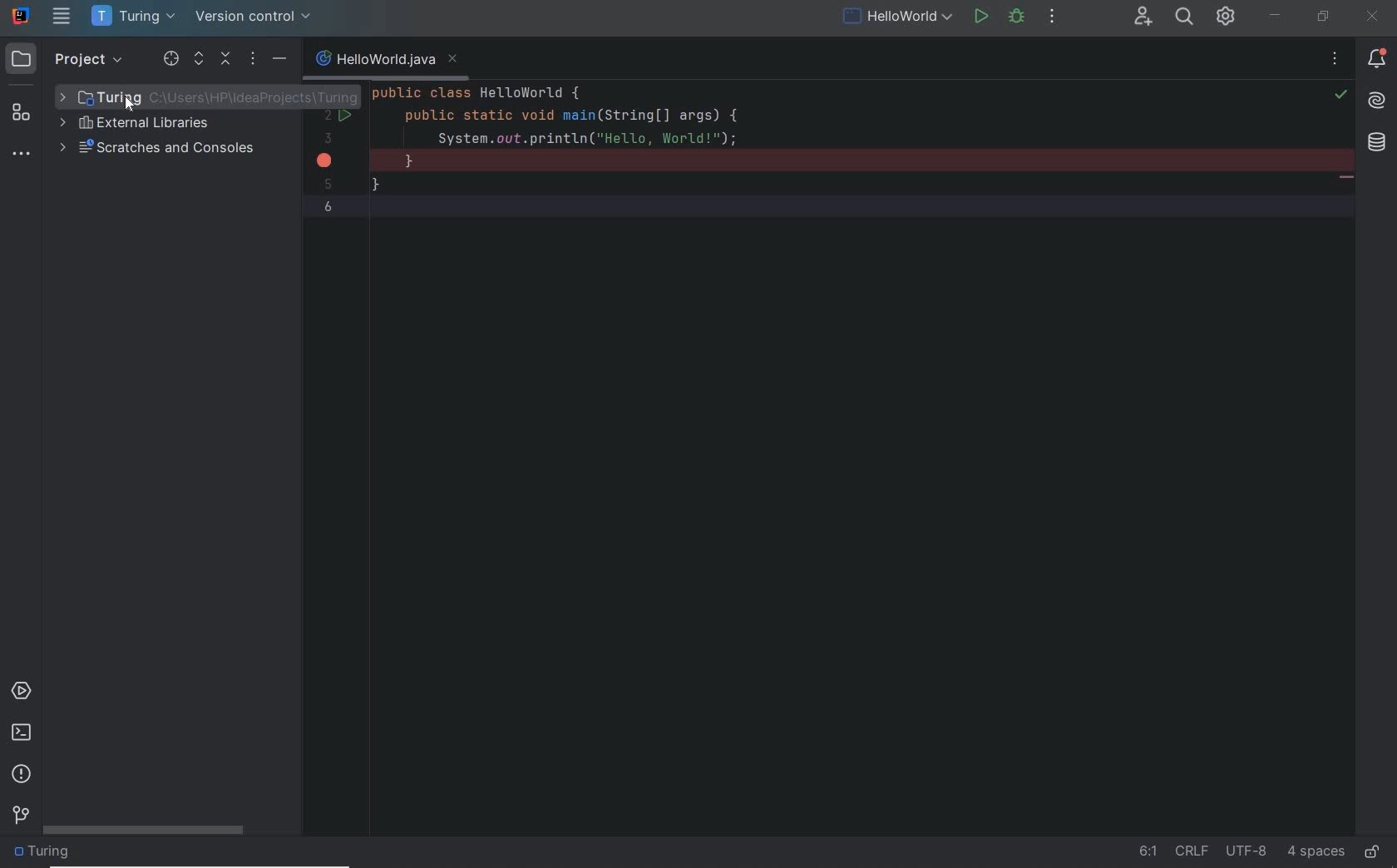 The height and width of the screenshot is (868, 1397). What do you see at coordinates (159, 150) in the screenshot?
I see `scratches and consoles` at bounding box center [159, 150].